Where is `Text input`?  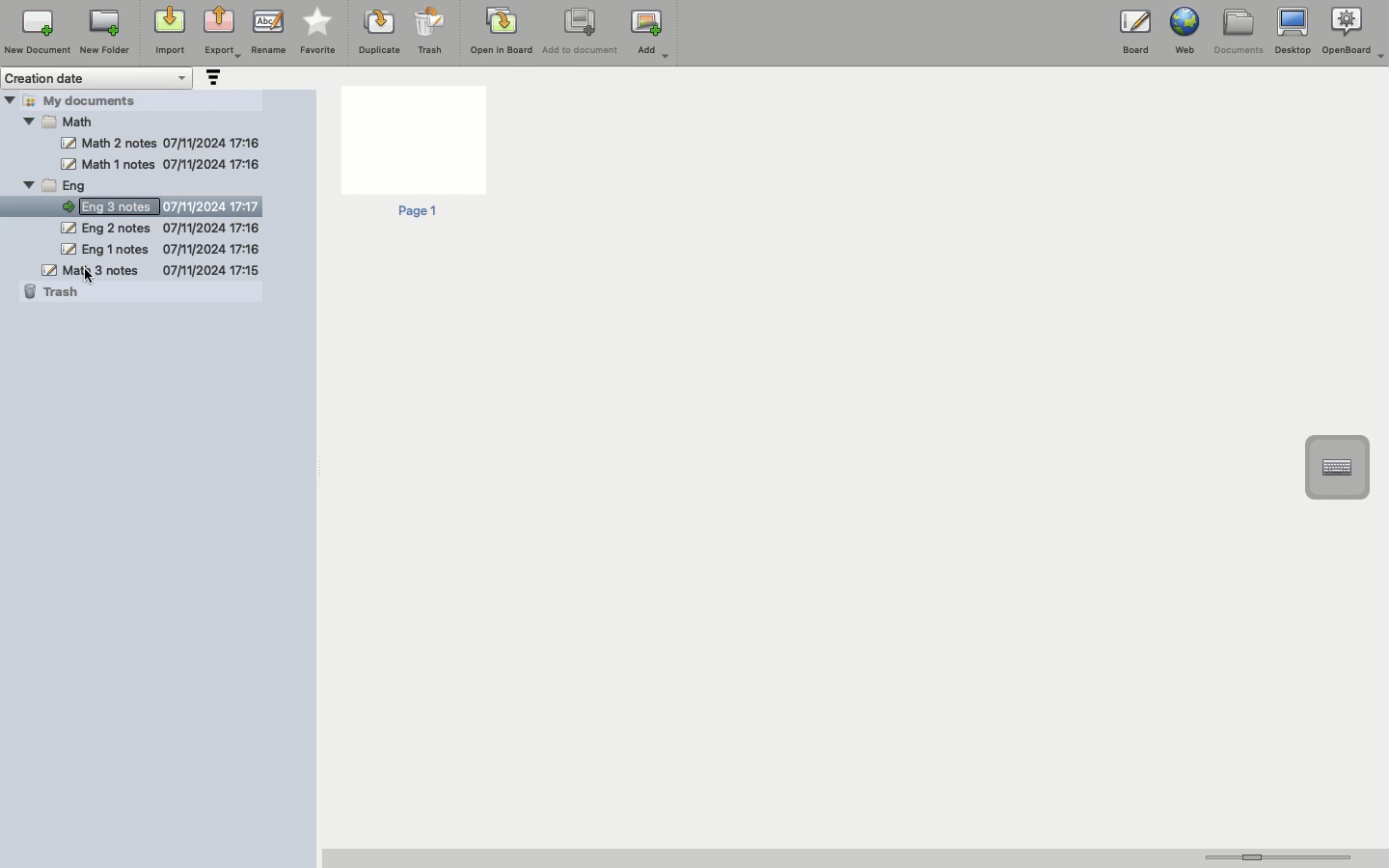
Text input is located at coordinates (1336, 468).